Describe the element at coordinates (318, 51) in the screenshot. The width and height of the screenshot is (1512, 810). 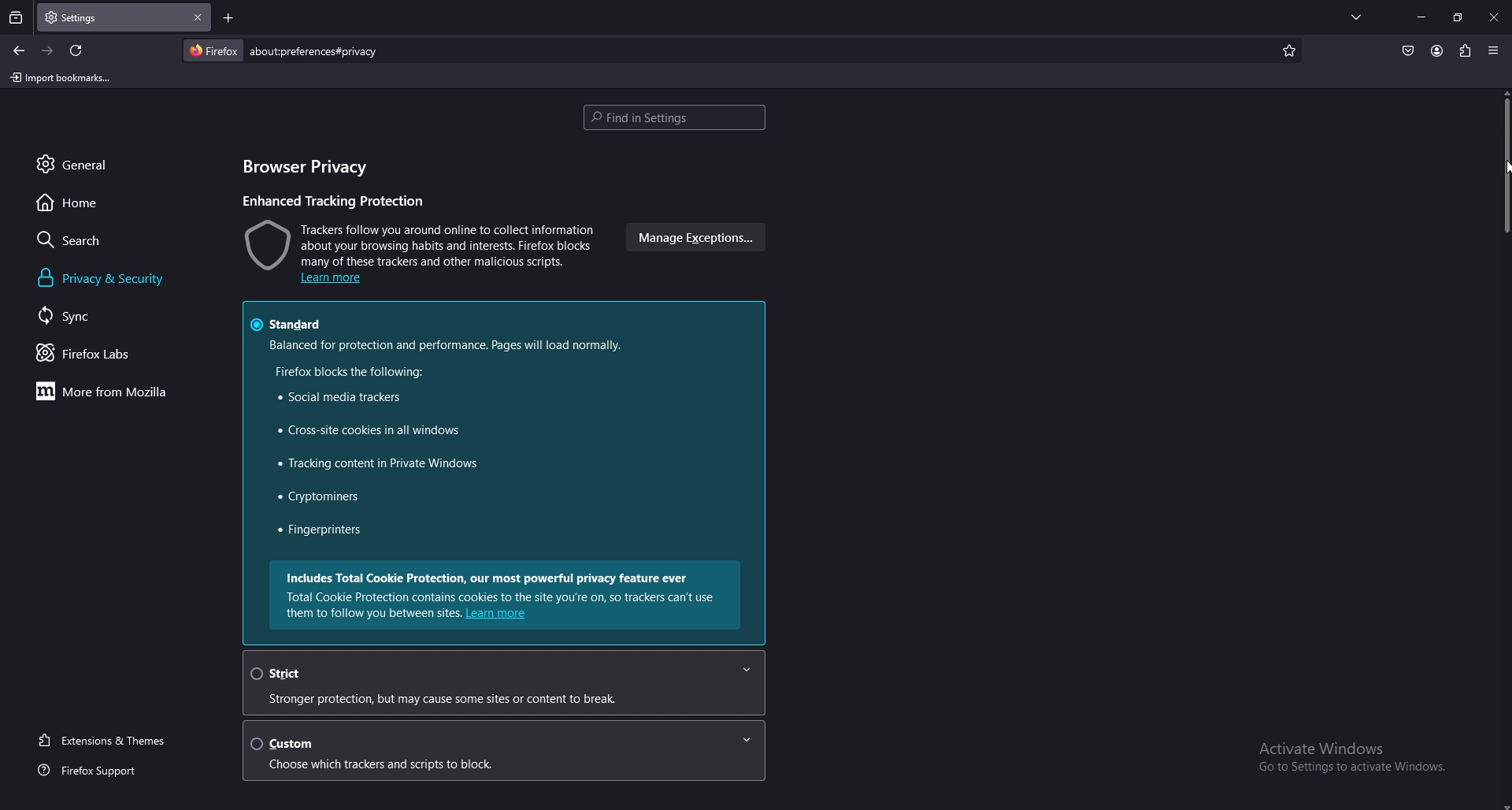
I see `search bar` at that location.